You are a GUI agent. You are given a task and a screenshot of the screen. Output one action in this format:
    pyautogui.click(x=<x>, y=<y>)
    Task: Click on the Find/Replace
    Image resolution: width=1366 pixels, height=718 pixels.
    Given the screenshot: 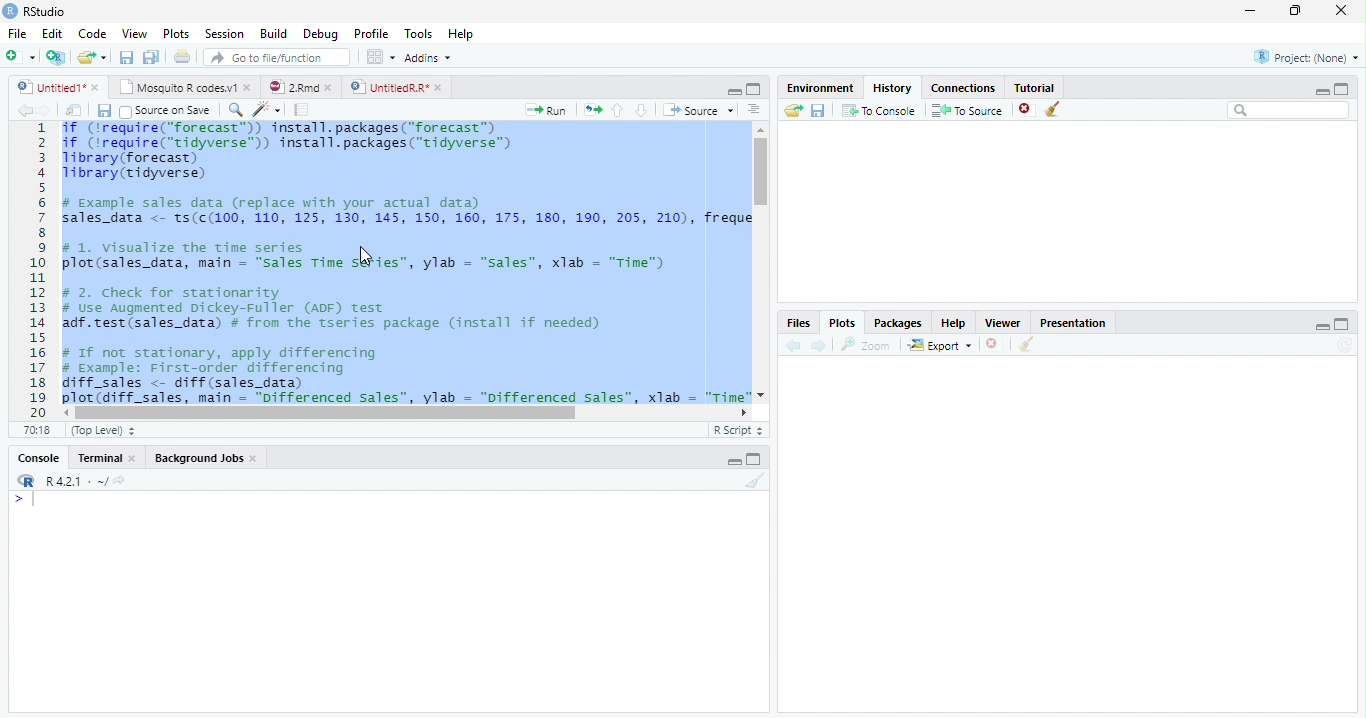 What is the action you would take?
    pyautogui.click(x=233, y=110)
    